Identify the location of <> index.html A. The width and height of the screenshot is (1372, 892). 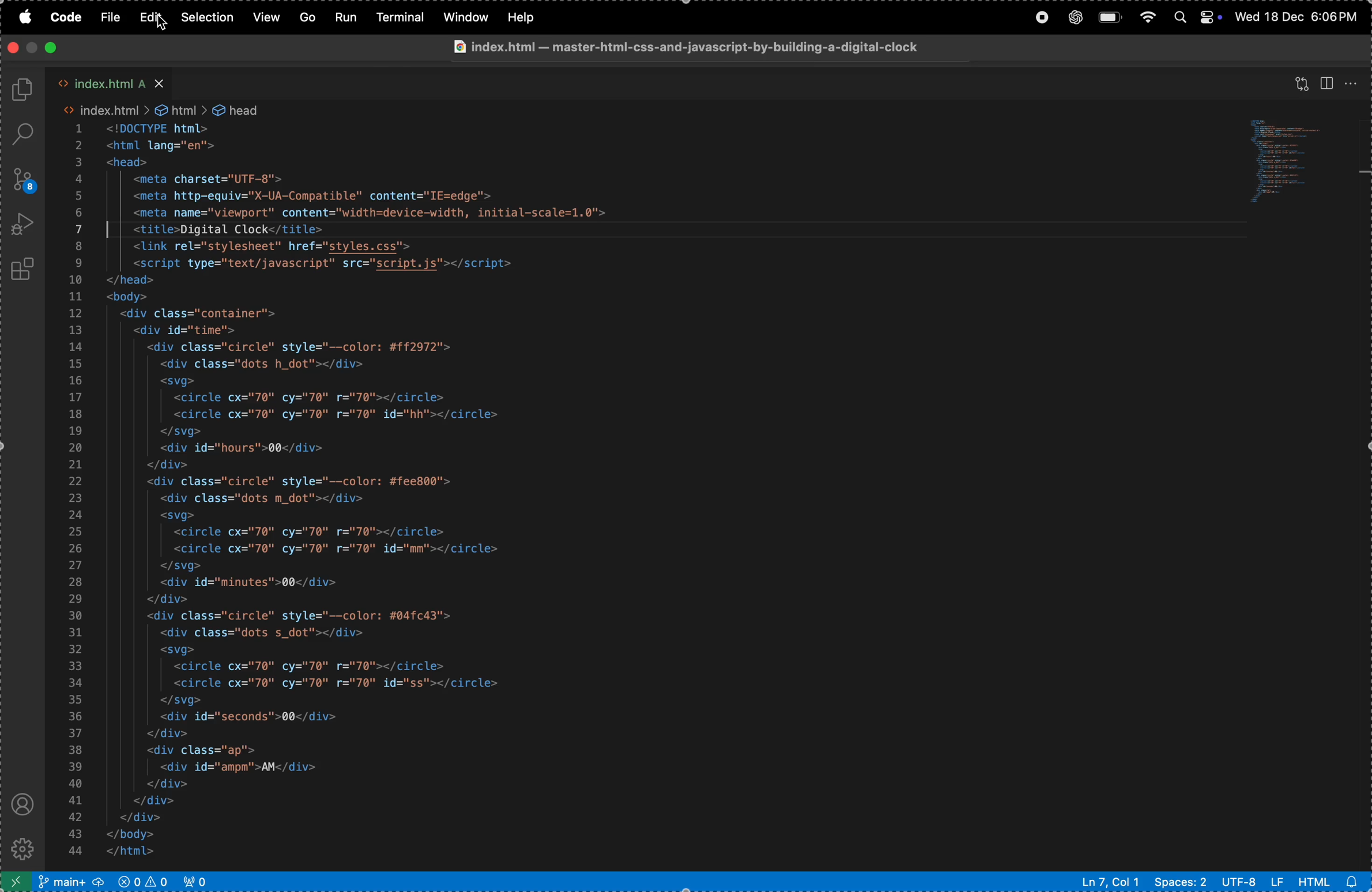
(114, 81).